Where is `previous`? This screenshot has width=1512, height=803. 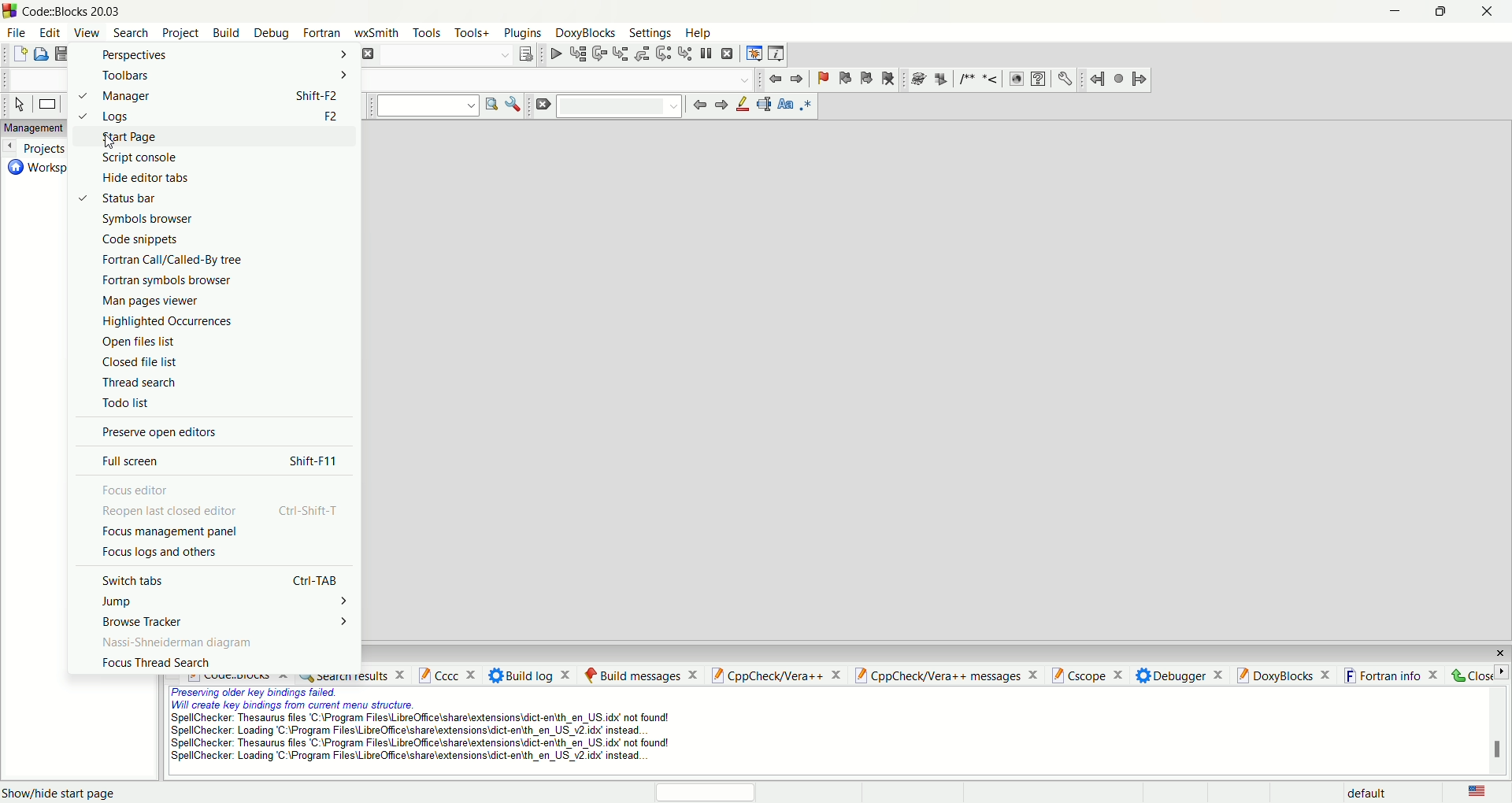
previous is located at coordinates (699, 105).